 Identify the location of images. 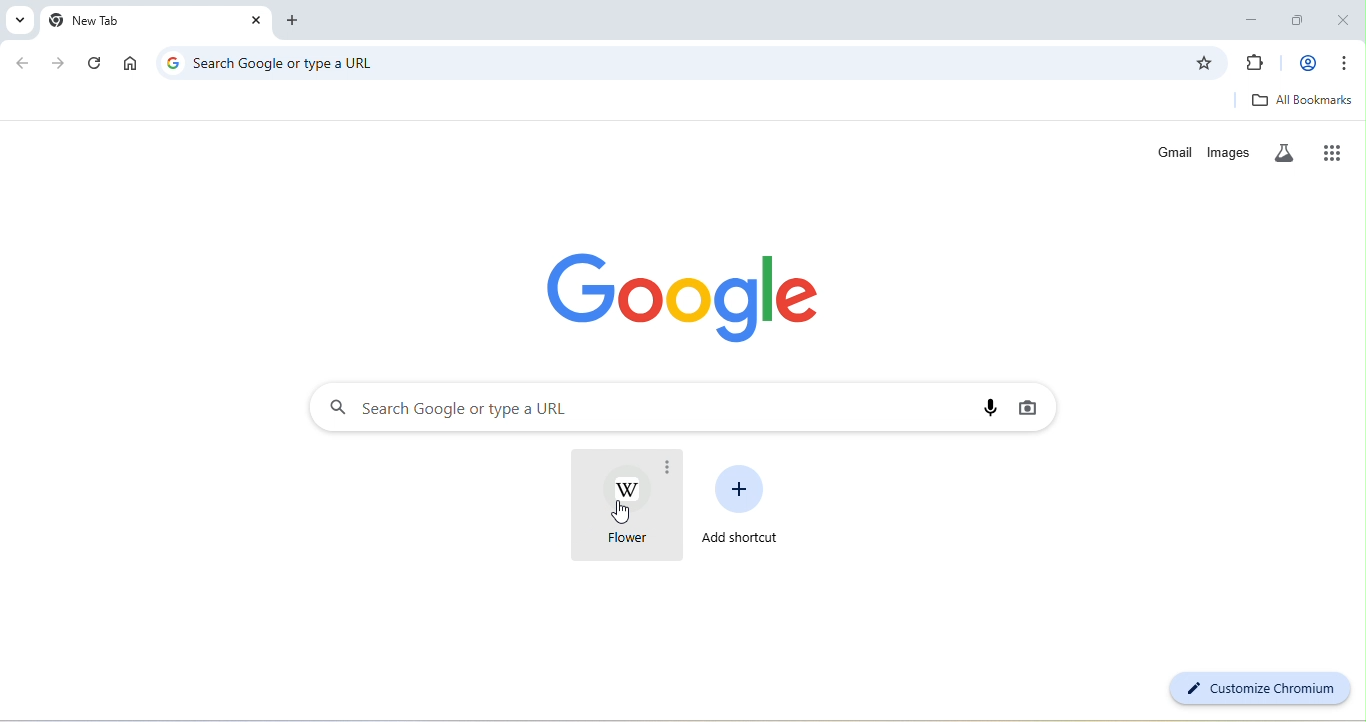
(1231, 153).